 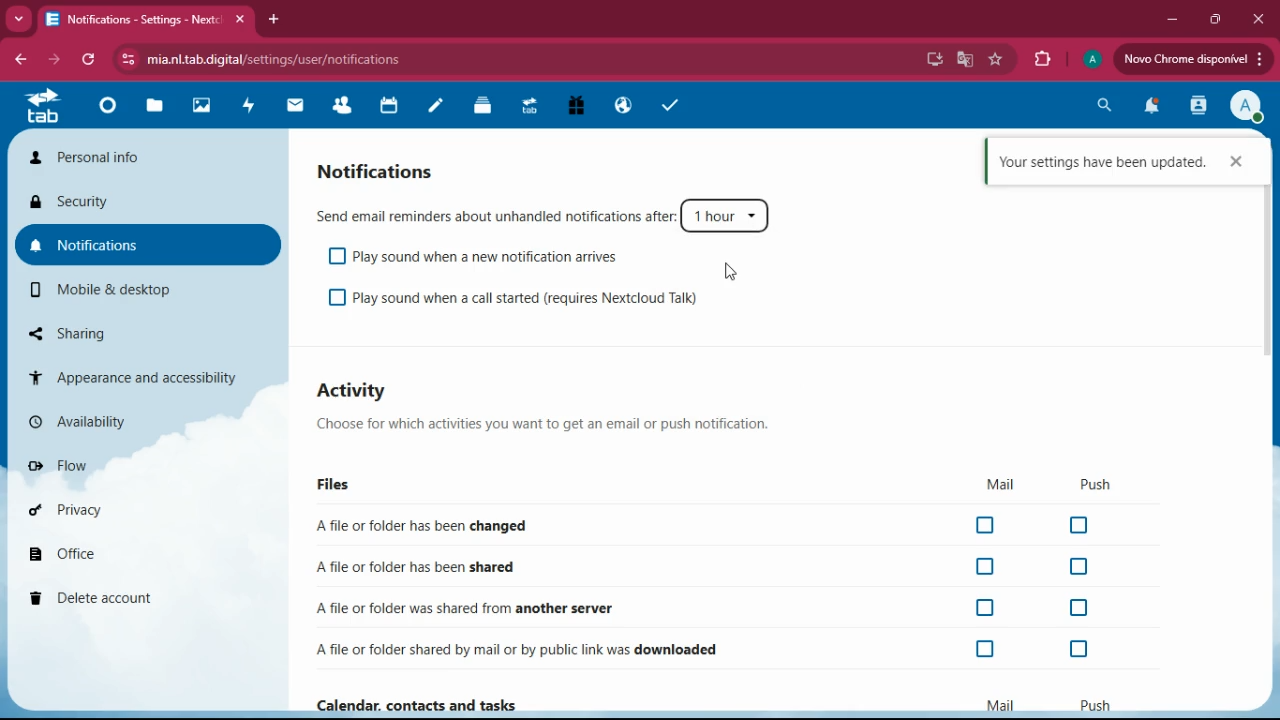 What do you see at coordinates (201, 107) in the screenshot?
I see `images` at bounding box center [201, 107].